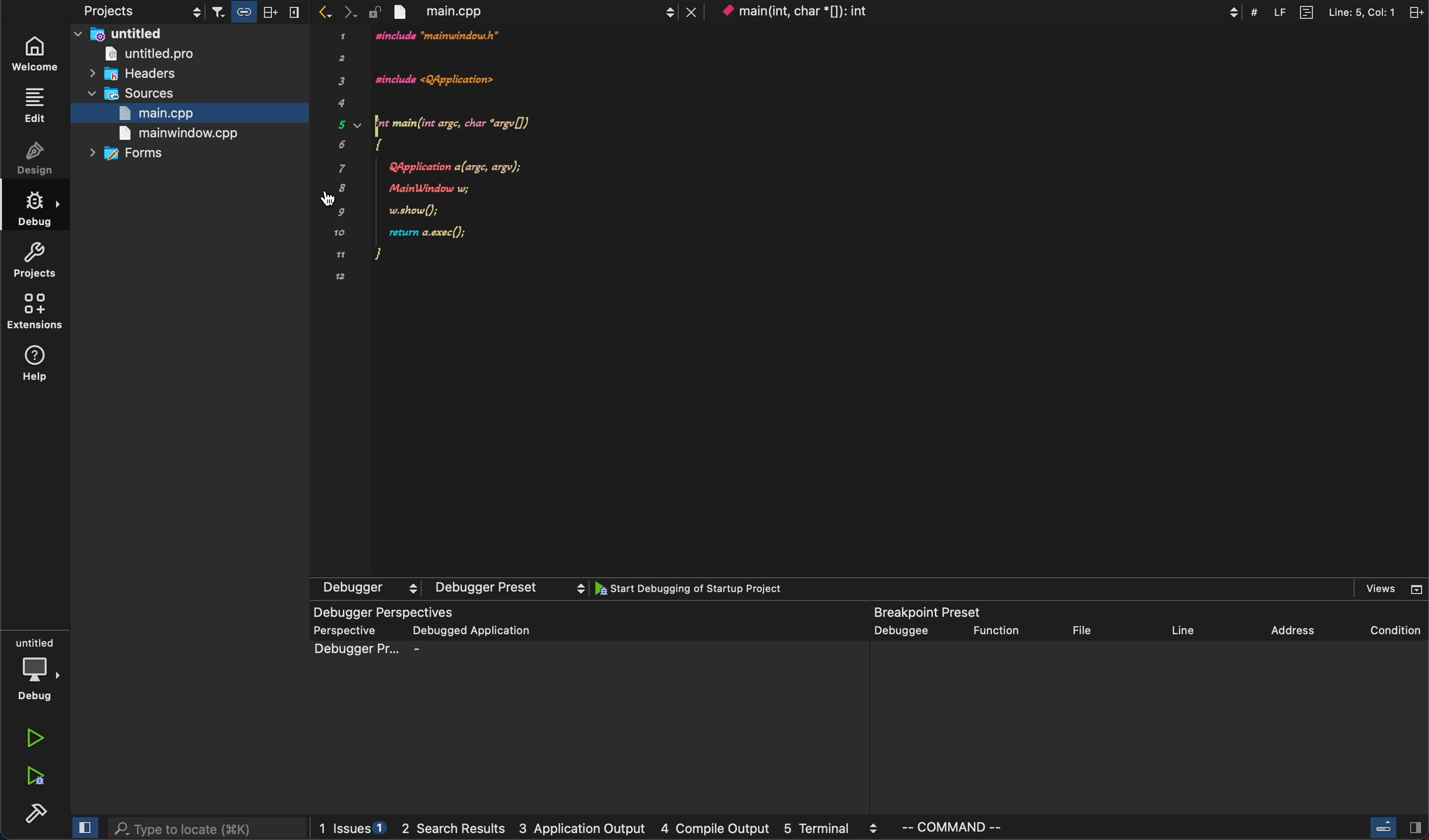 This screenshot has height=840, width=1429. Describe the element at coordinates (151, 114) in the screenshot. I see `main.cpp` at that location.